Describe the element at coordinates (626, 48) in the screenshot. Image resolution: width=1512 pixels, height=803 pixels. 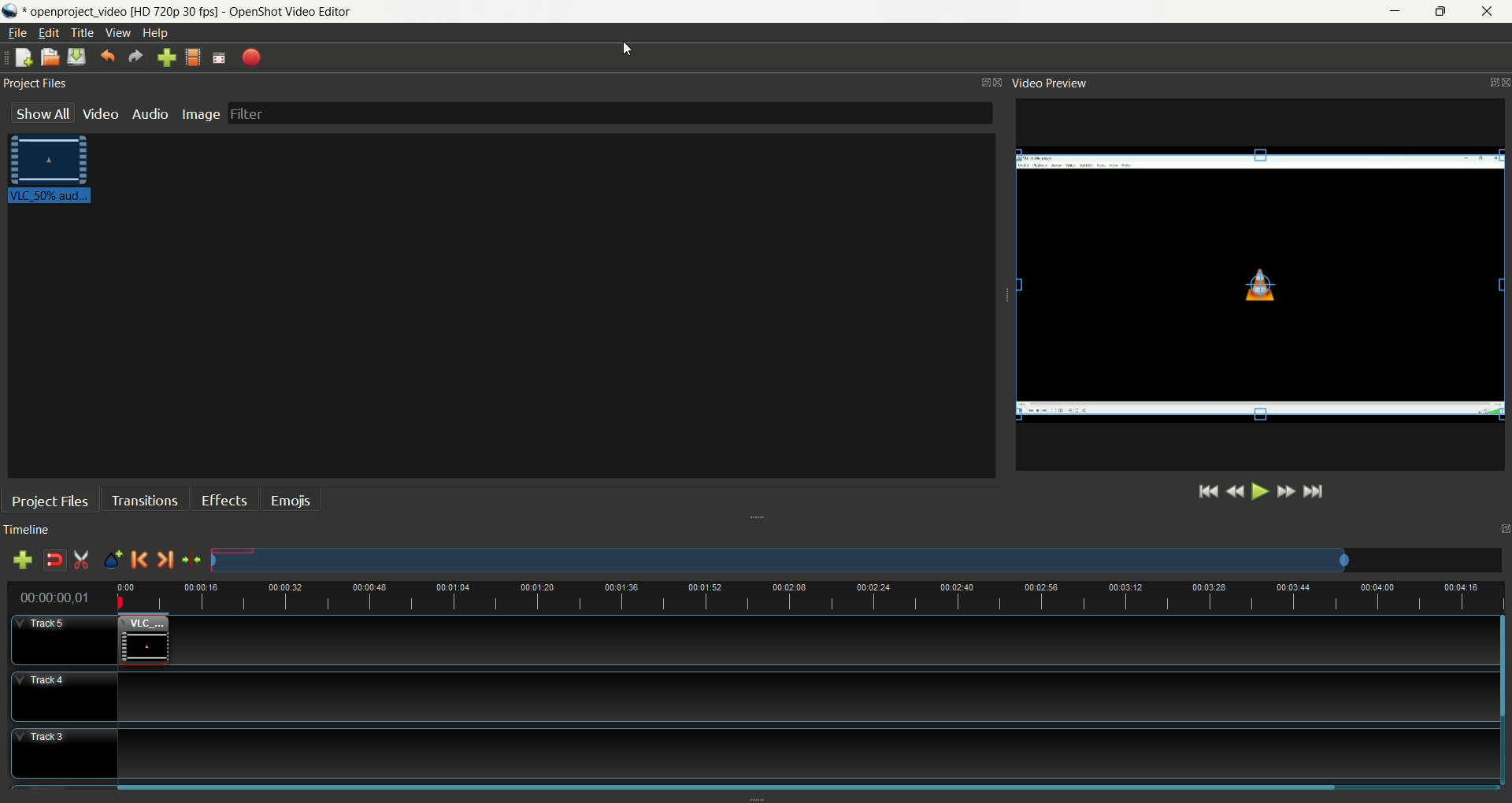
I see `cursor` at that location.